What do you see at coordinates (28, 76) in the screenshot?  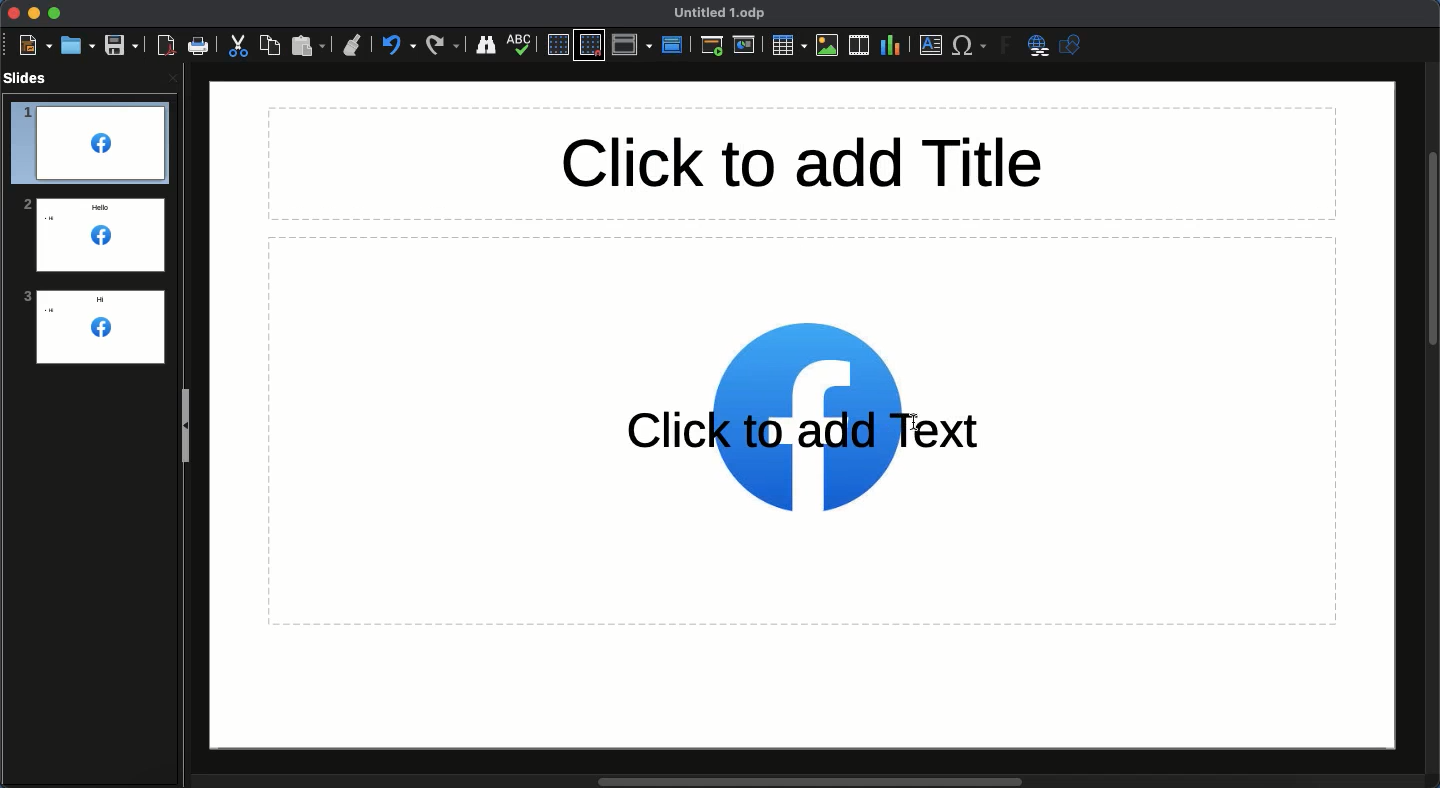 I see `Slides` at bounding box center [28, 76].